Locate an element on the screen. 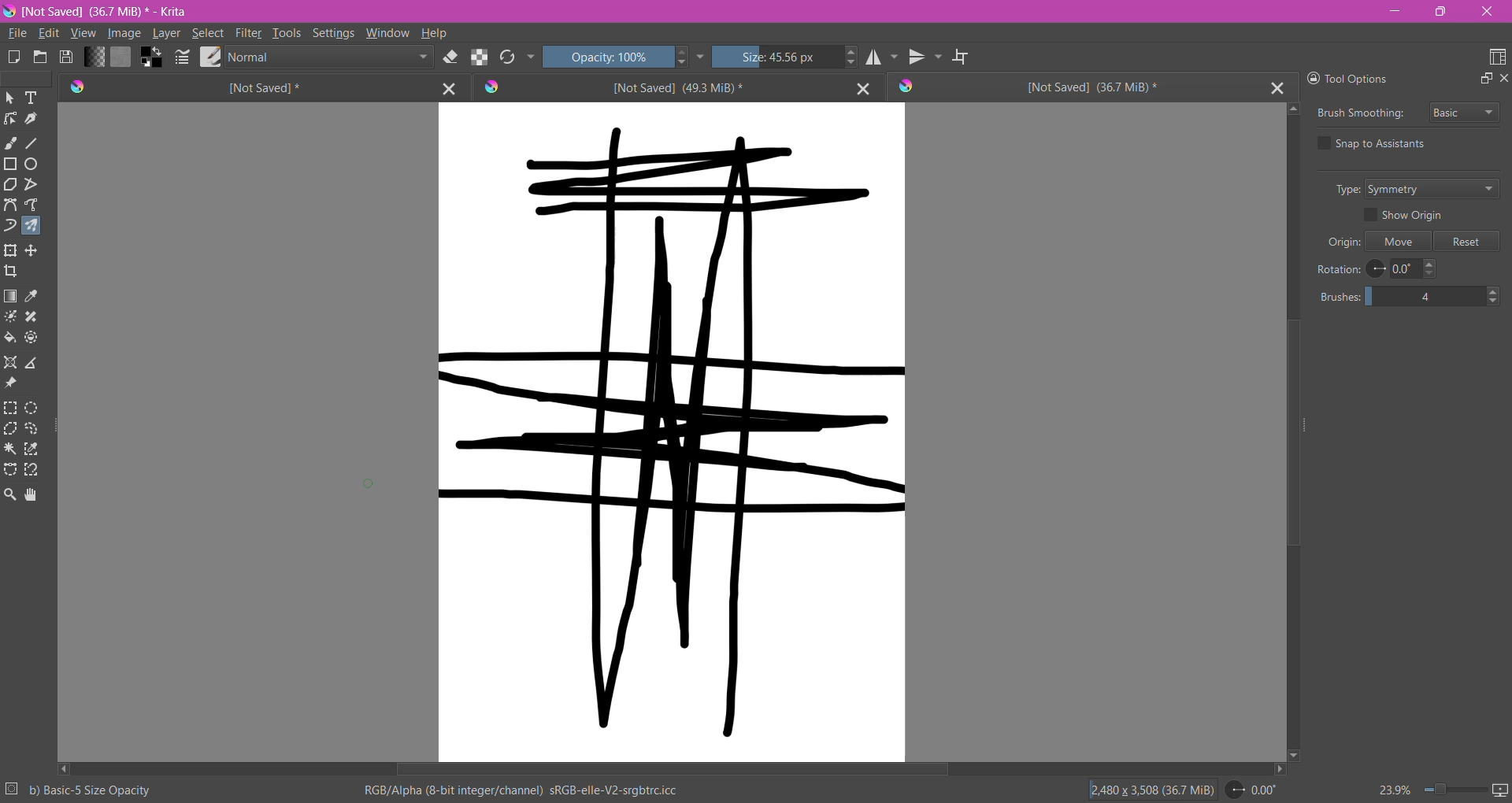 The image size is (1512, 803). Set the Brush Size is located at coordinates (776, 57).